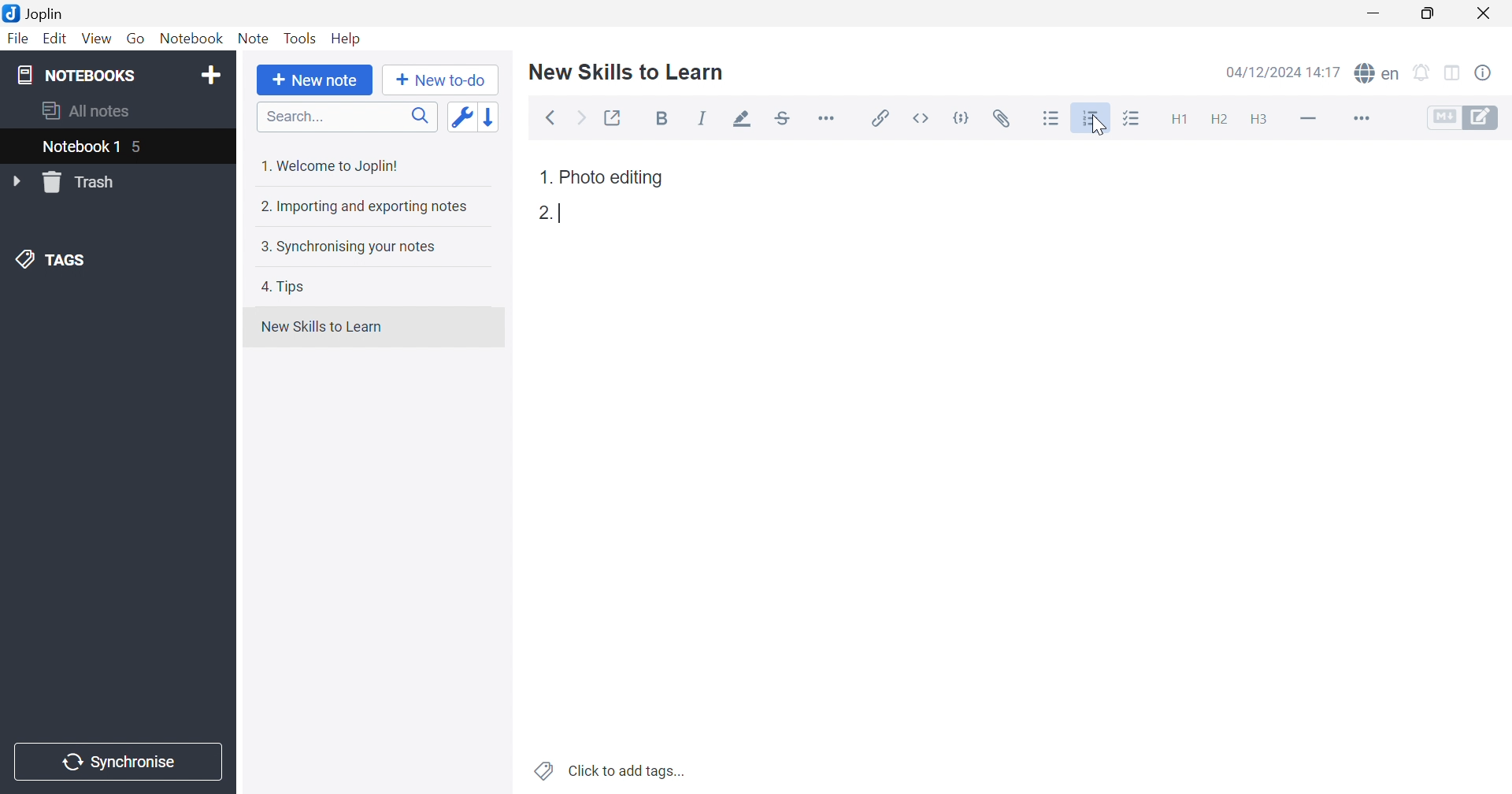 The image size is (1512, 794). Describe the element at coordinates (1455, 74) in the screenshot. I see `Toggle editor layout` at that location.